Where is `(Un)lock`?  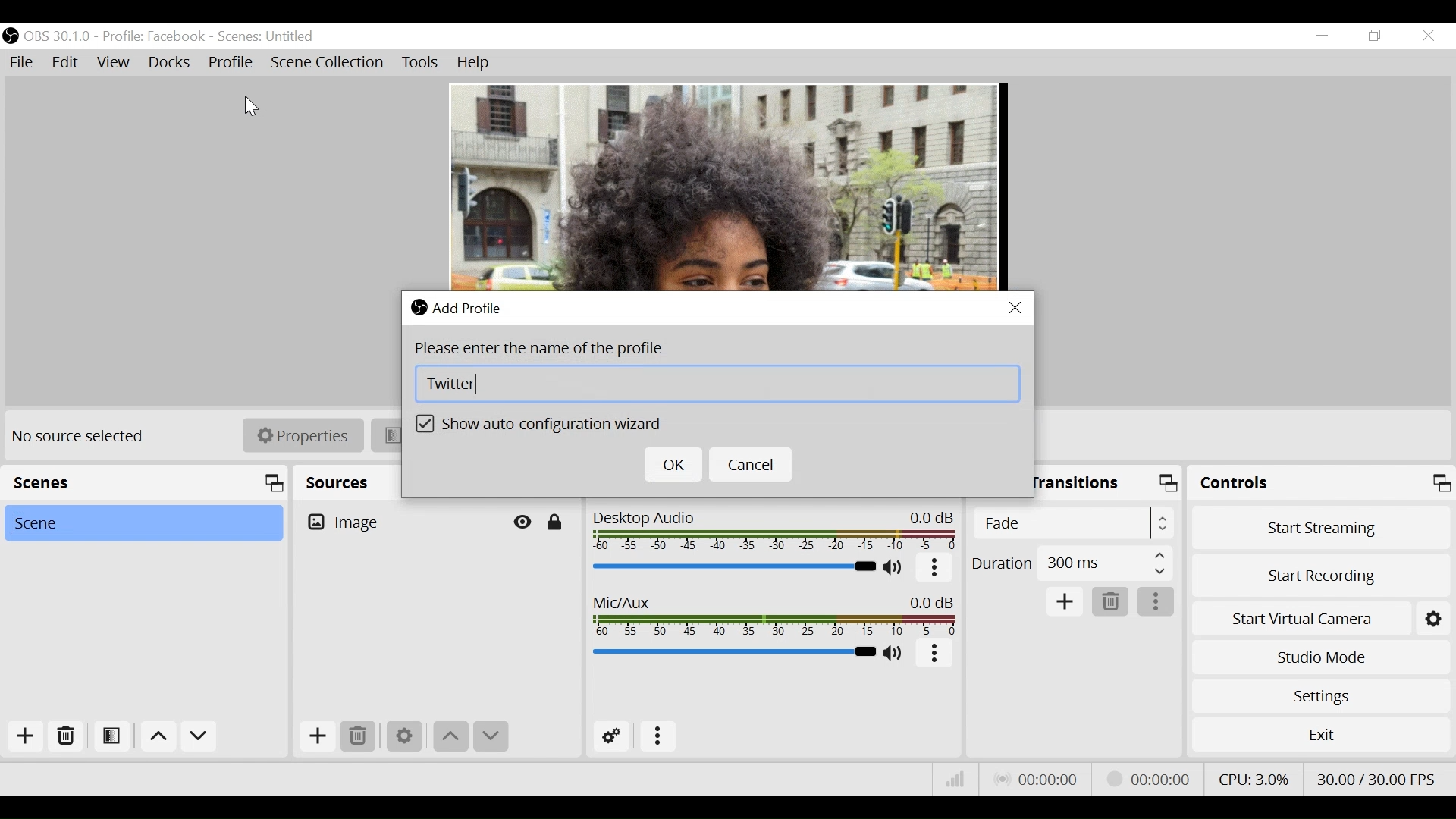 (Un)lock is located at coordinates (554, 522).